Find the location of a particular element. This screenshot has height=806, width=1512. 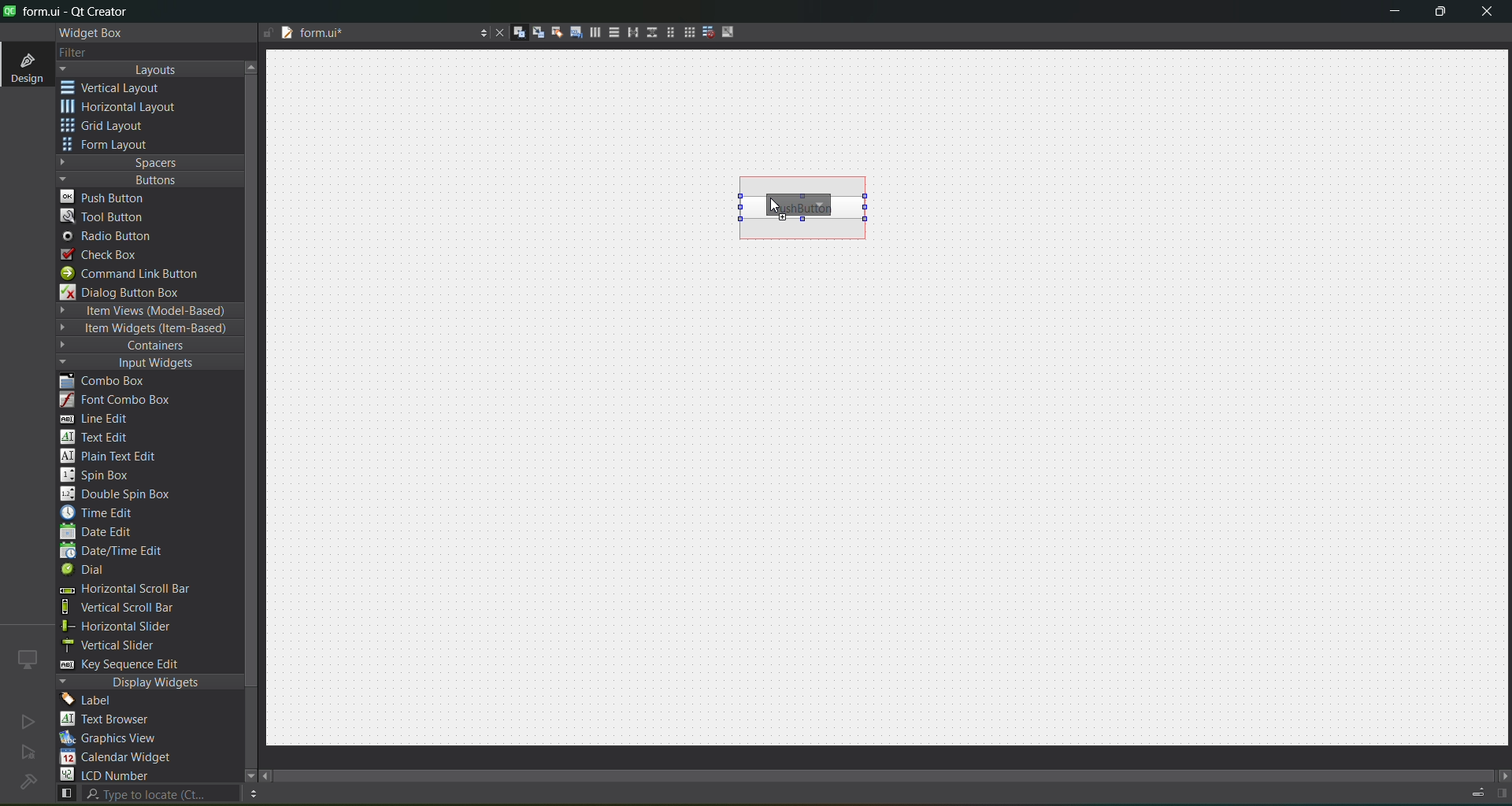

vertical scroll bar is located at coordinates (135, 608).